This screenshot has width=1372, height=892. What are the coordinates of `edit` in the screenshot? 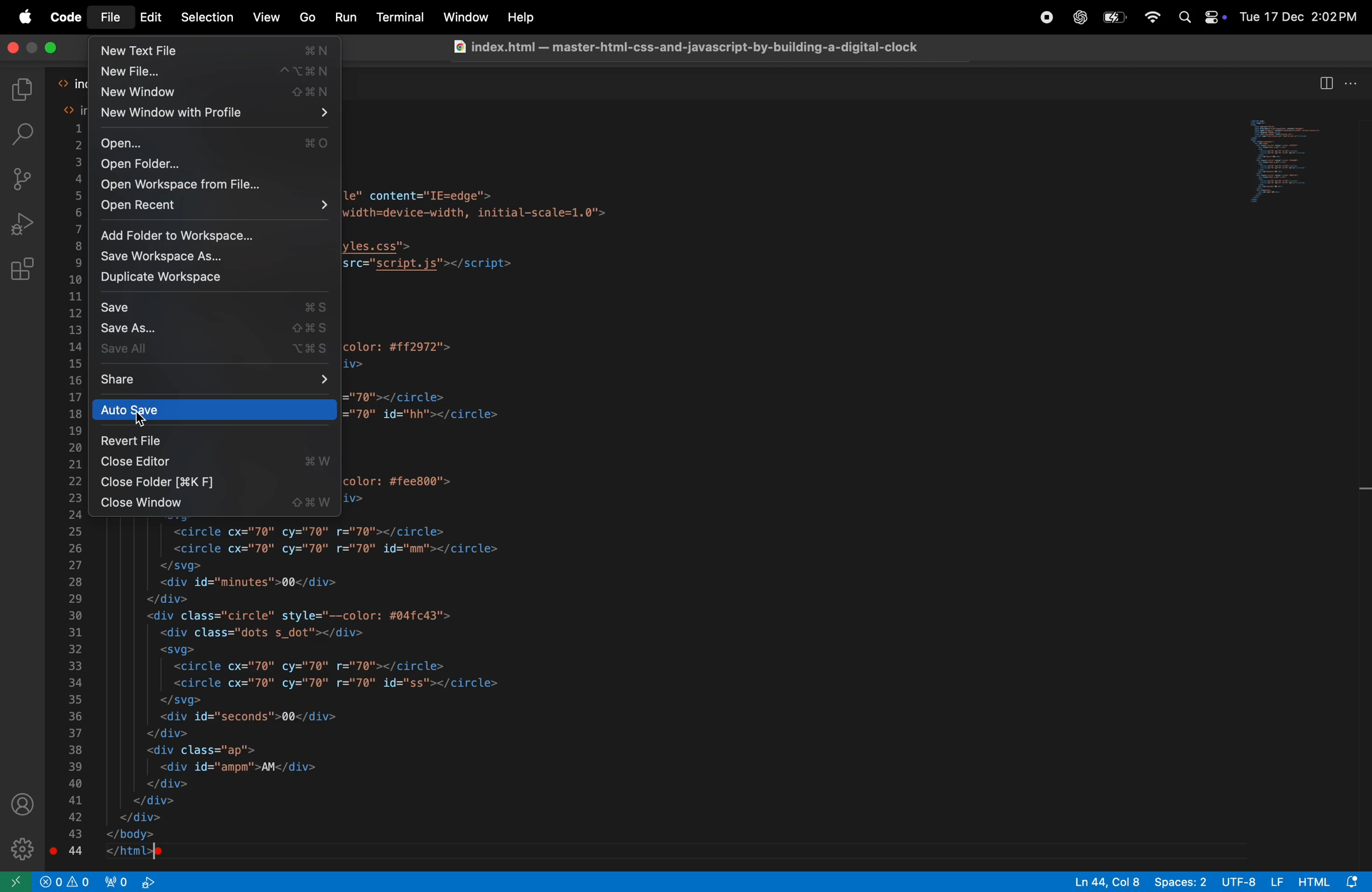 It's located at (152, 17).